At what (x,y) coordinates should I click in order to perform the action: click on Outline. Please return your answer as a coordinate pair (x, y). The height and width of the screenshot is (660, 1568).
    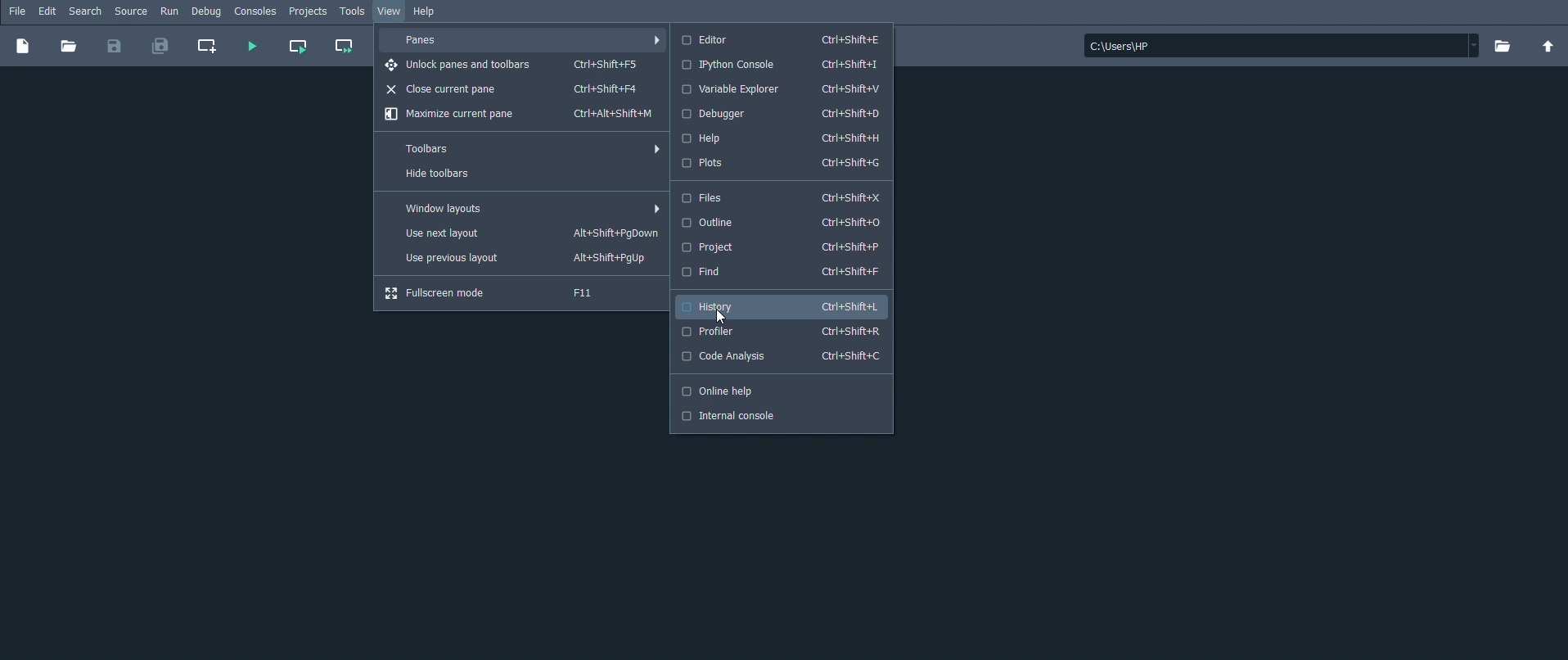
    Looking at the image, I should click on (784, 223).